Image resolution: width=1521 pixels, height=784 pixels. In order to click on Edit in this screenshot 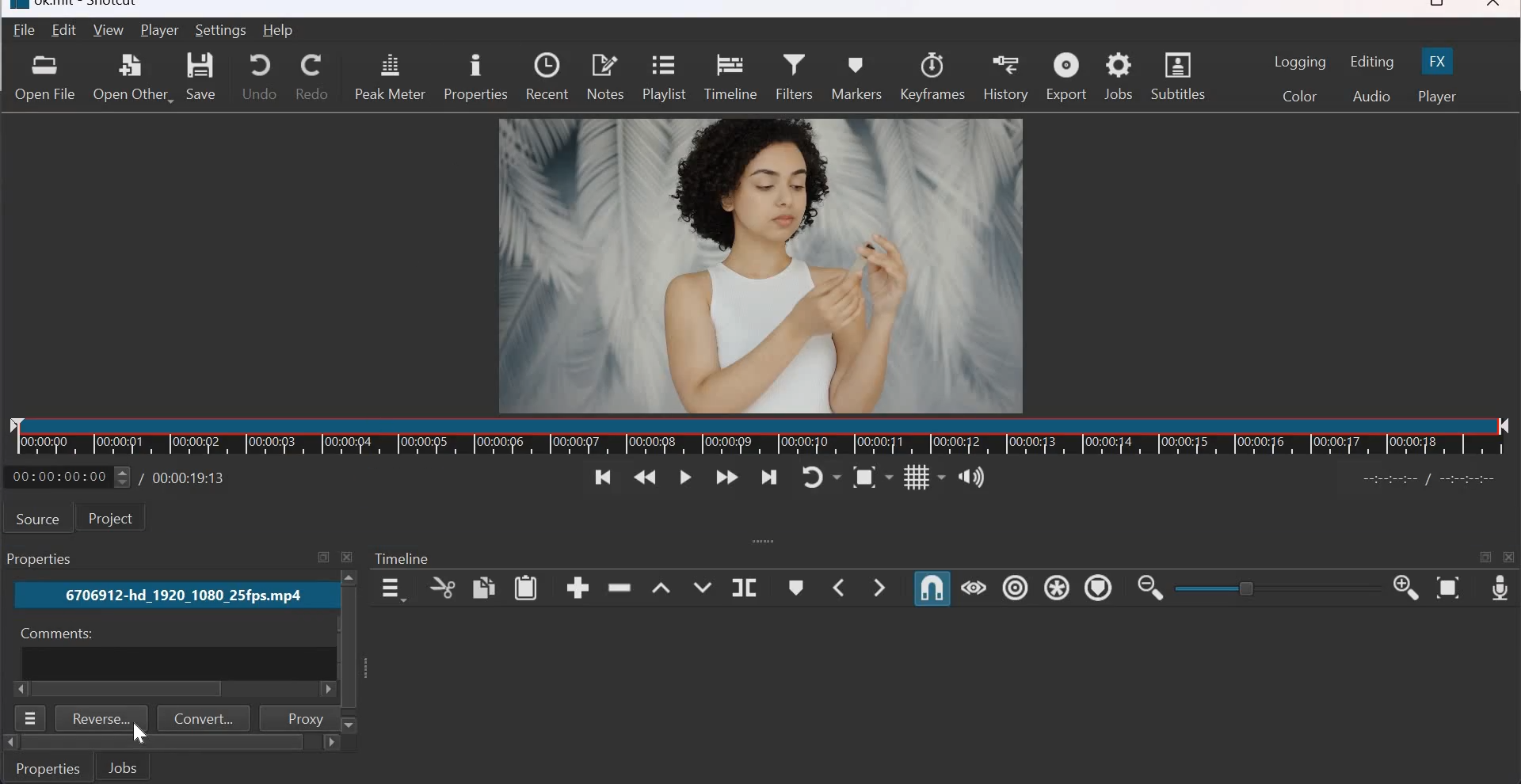, I will do `click(66, 29)`.